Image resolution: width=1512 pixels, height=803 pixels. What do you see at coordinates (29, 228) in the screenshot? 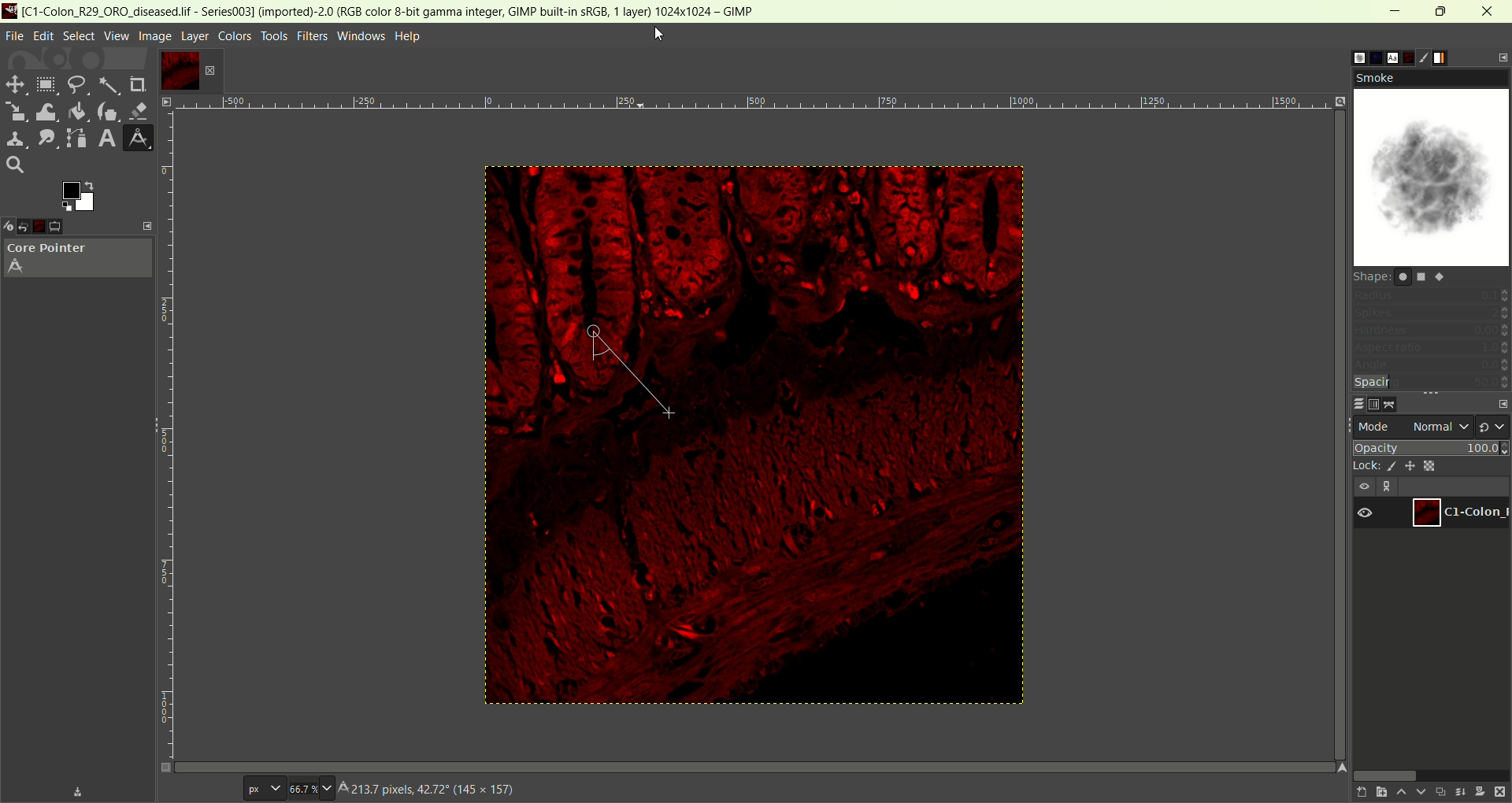
I see `undo history` at bounding box center [29, 228].